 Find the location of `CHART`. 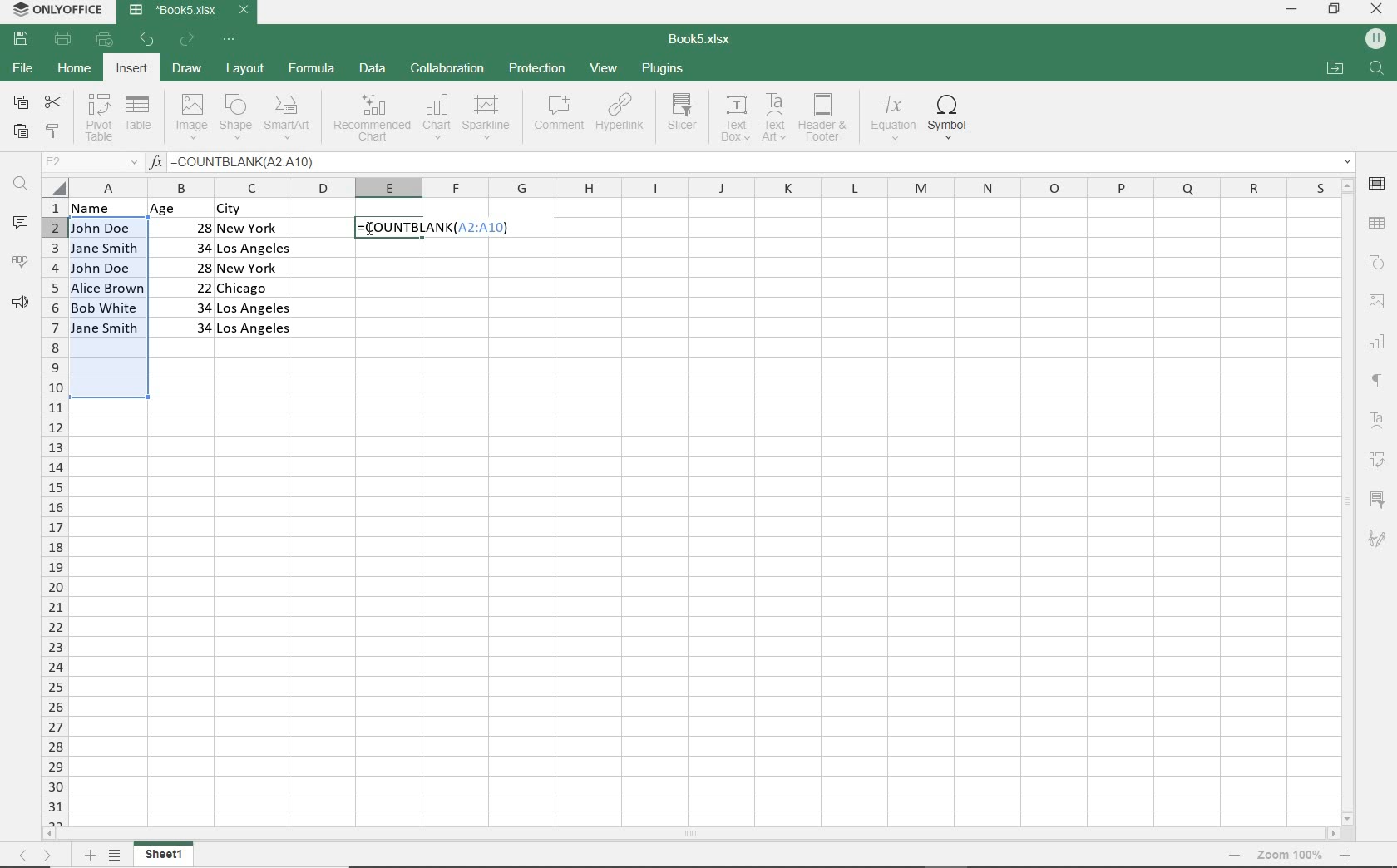

CHART is located at coordinates (436, 120).